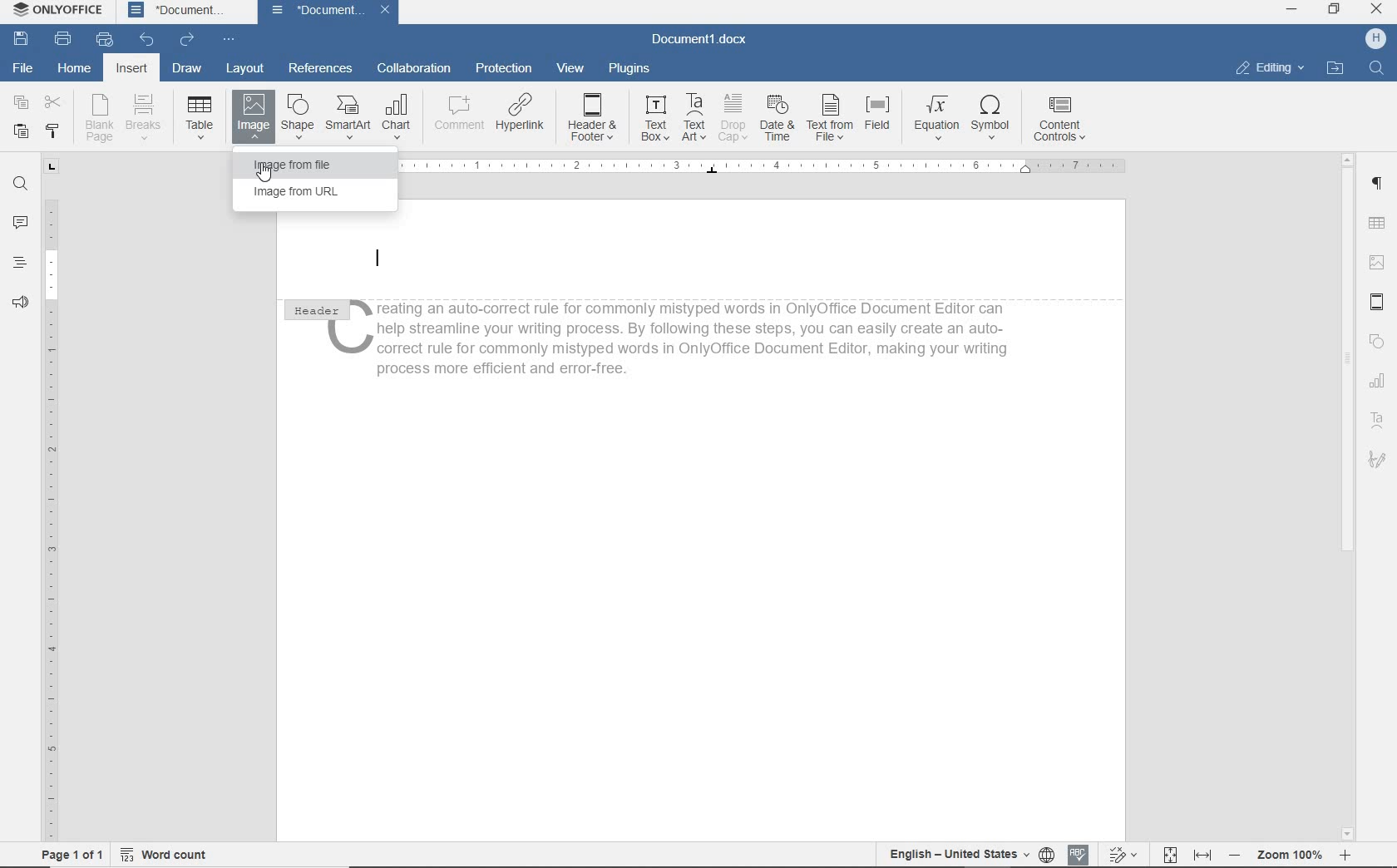 The width and height of the screenshot is (1397, 868). What do you see at coordinates (933, 121) in the screenshot?
I see `EQUATION` at bounding box center [933, 121].